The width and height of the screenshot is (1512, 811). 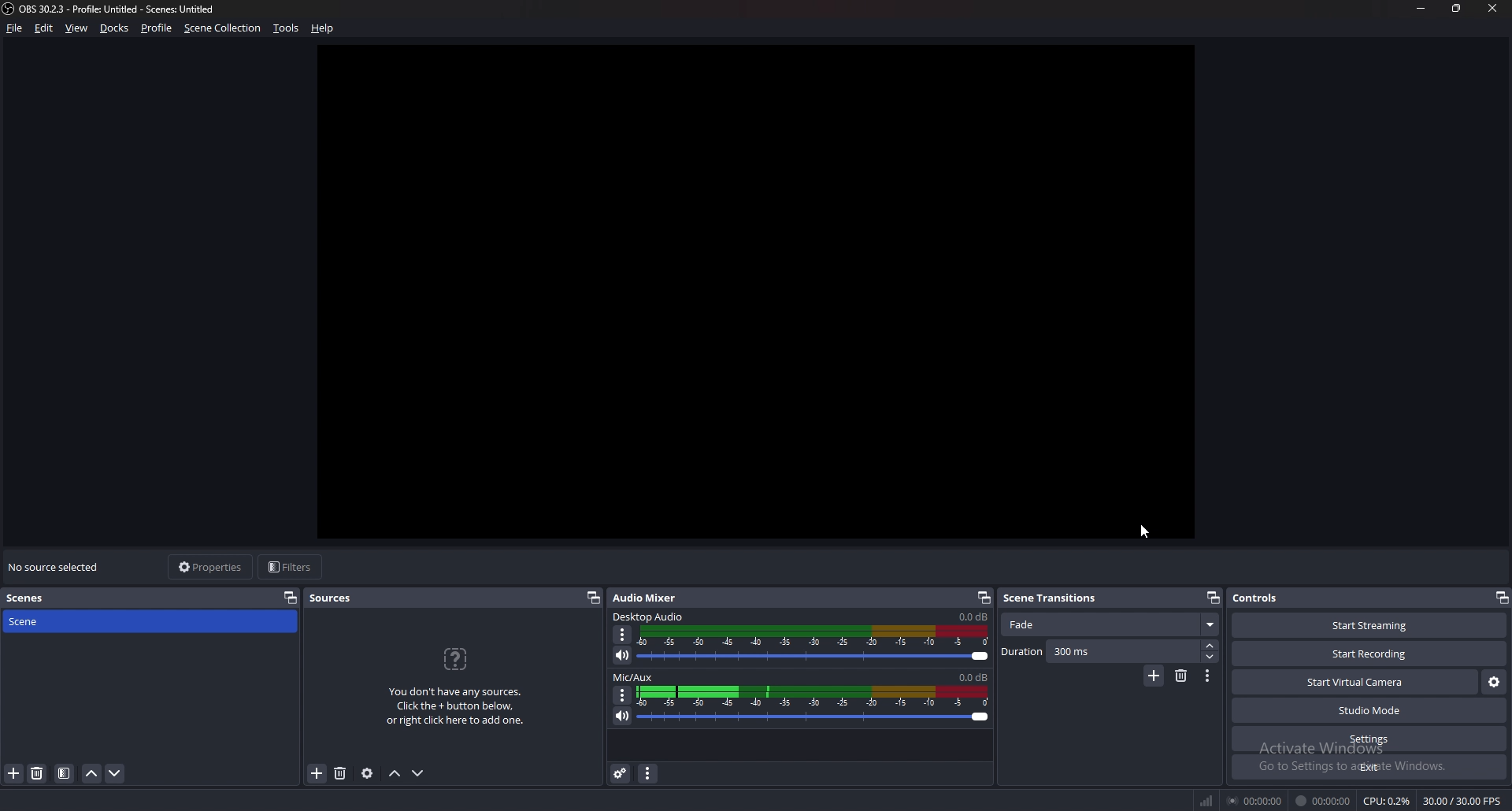 What do you see at coordinates (337, 598) in the screenshot?
I see `sources` at bounding box center [337, 598].